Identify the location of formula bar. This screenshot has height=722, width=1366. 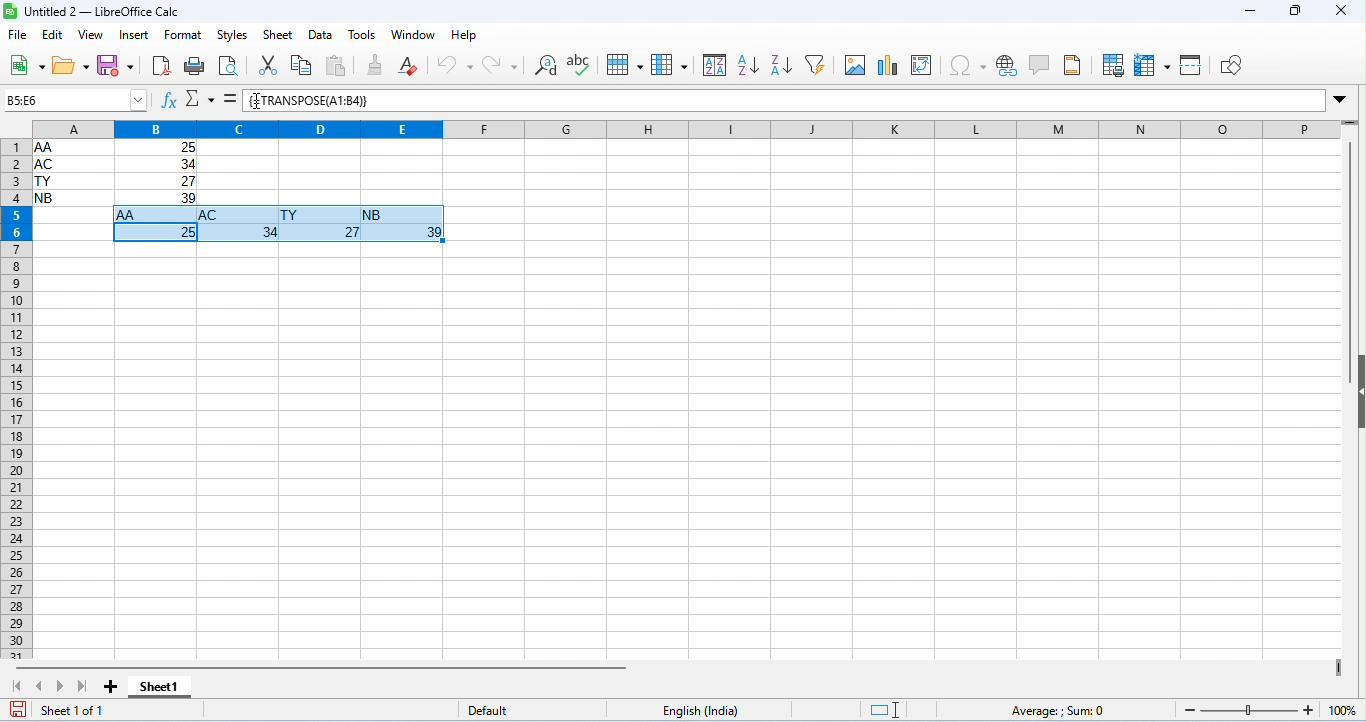
(846, 102).